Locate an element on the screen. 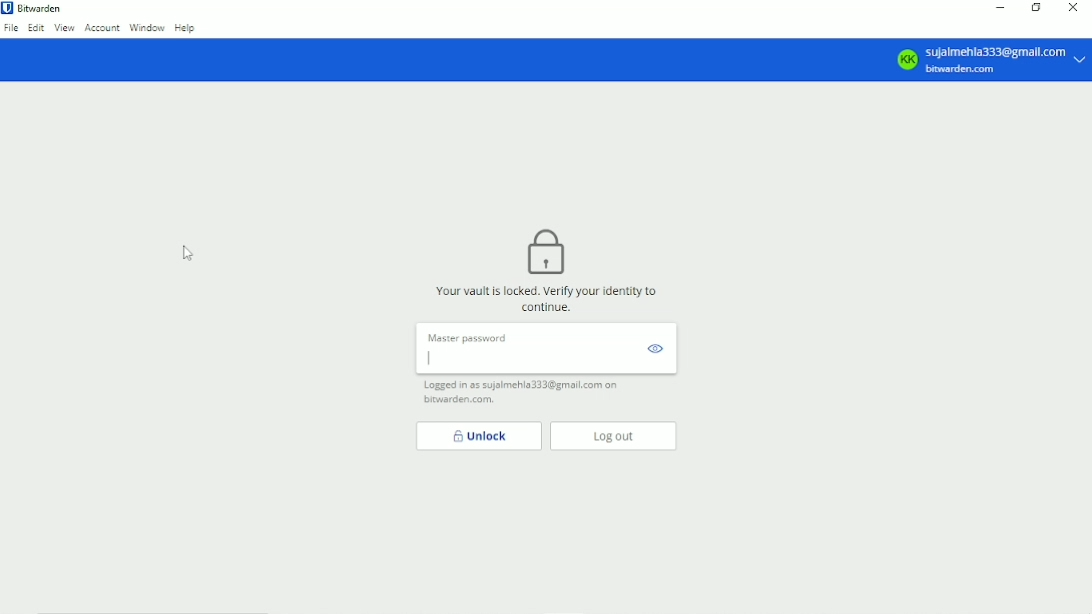 The image size is (1092, 614). Password is located at coordinates (470, 358).